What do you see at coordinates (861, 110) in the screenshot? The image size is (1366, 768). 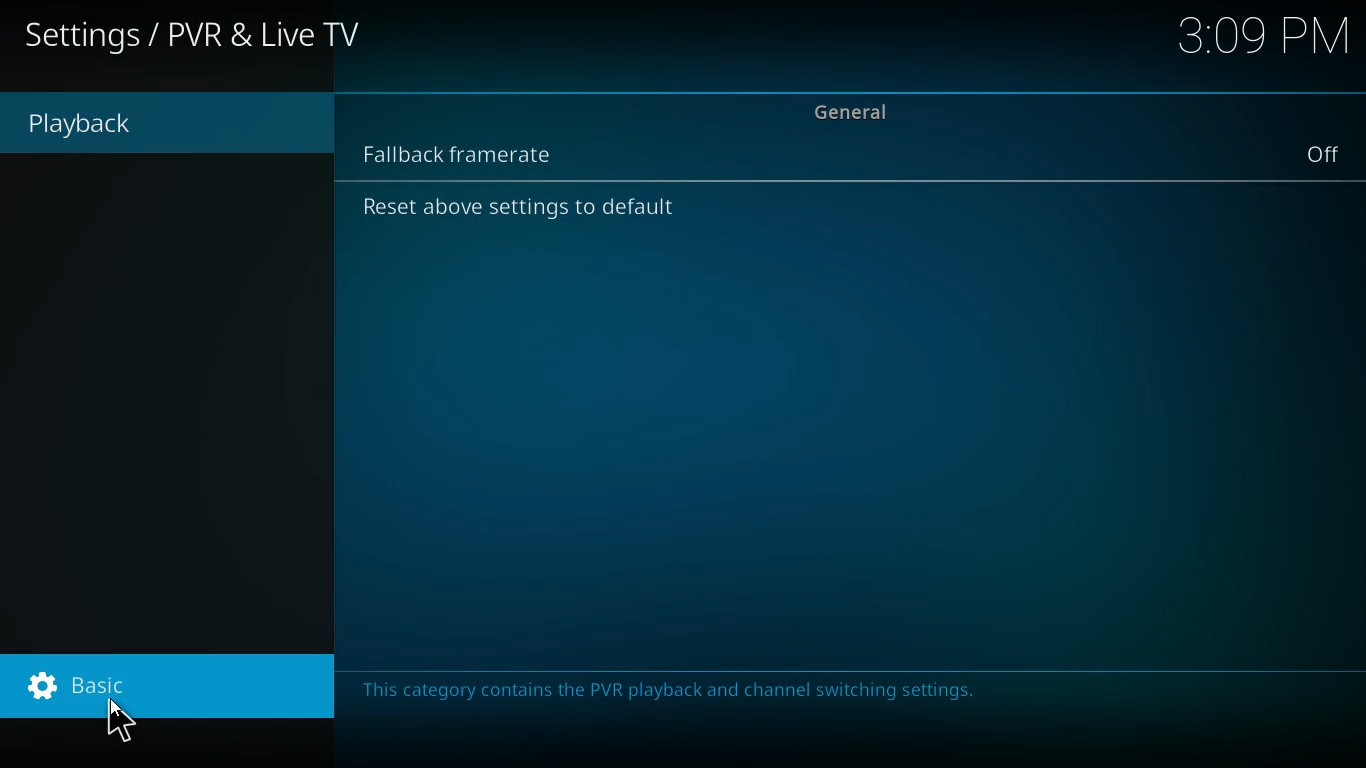 I see `general` at bounding box center [861, 110].